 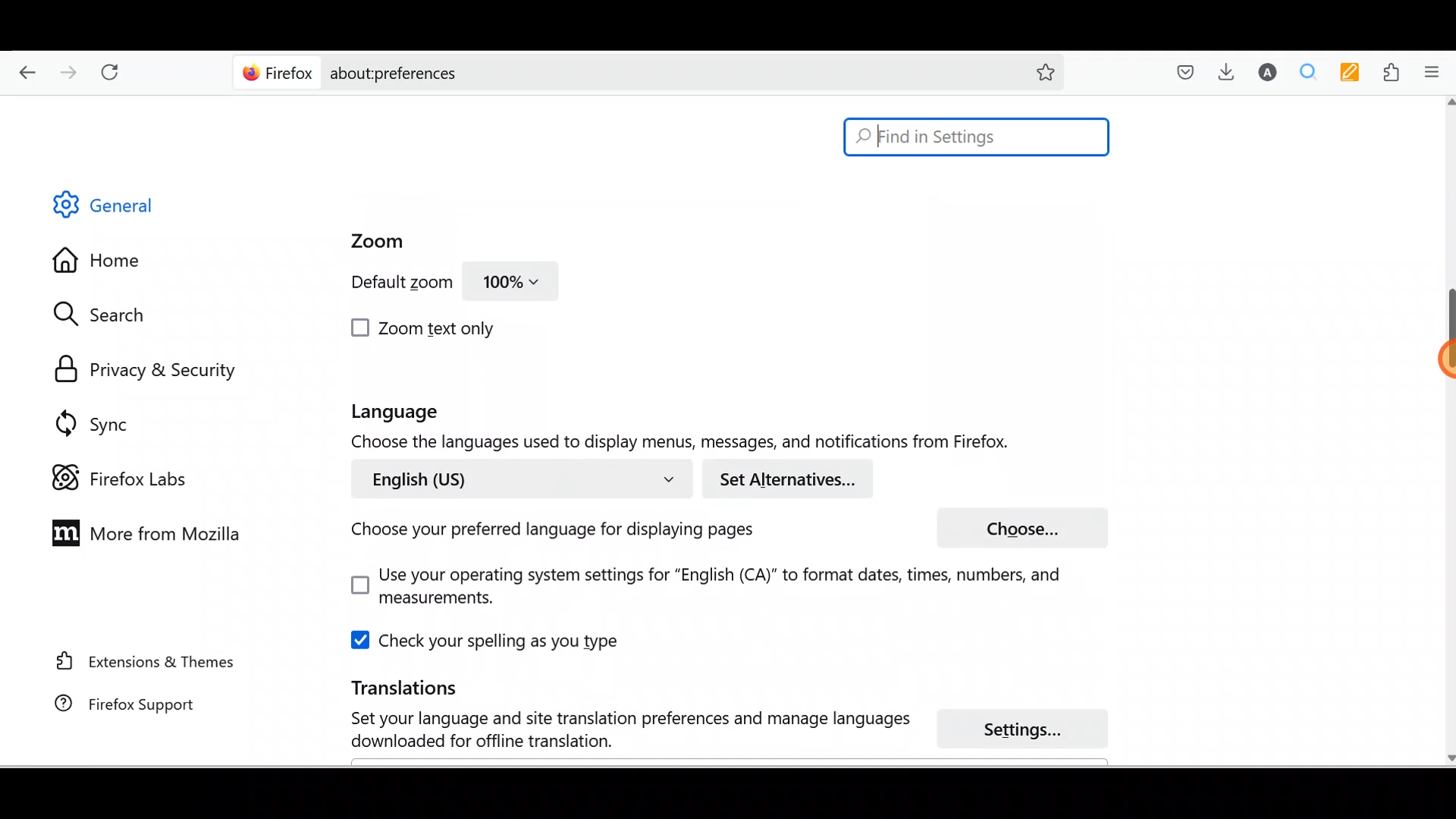 I want to click on General, so click(x=117, y=208).